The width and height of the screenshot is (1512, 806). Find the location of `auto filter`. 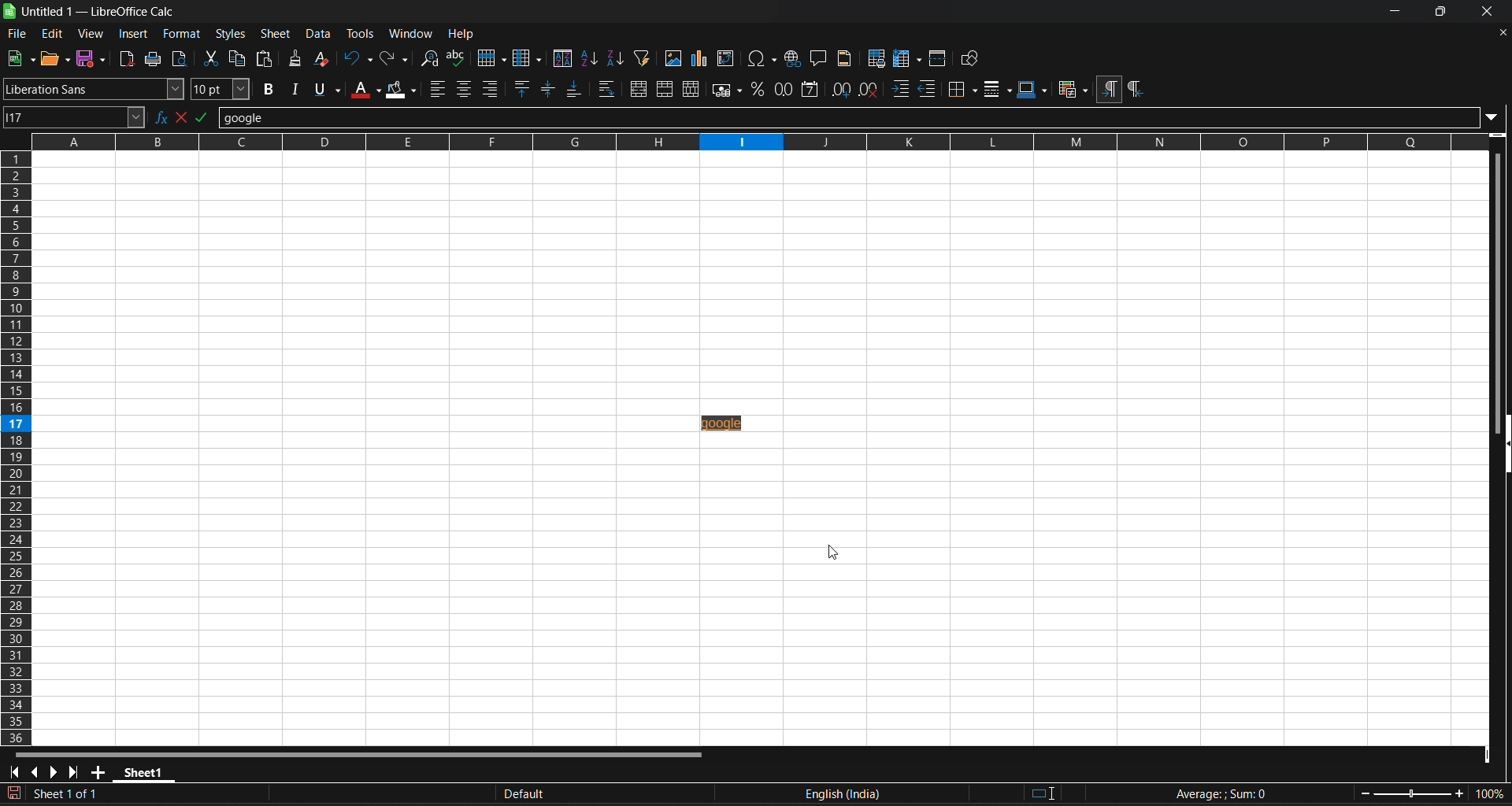

auto filter is located at coordinates (643, 57).